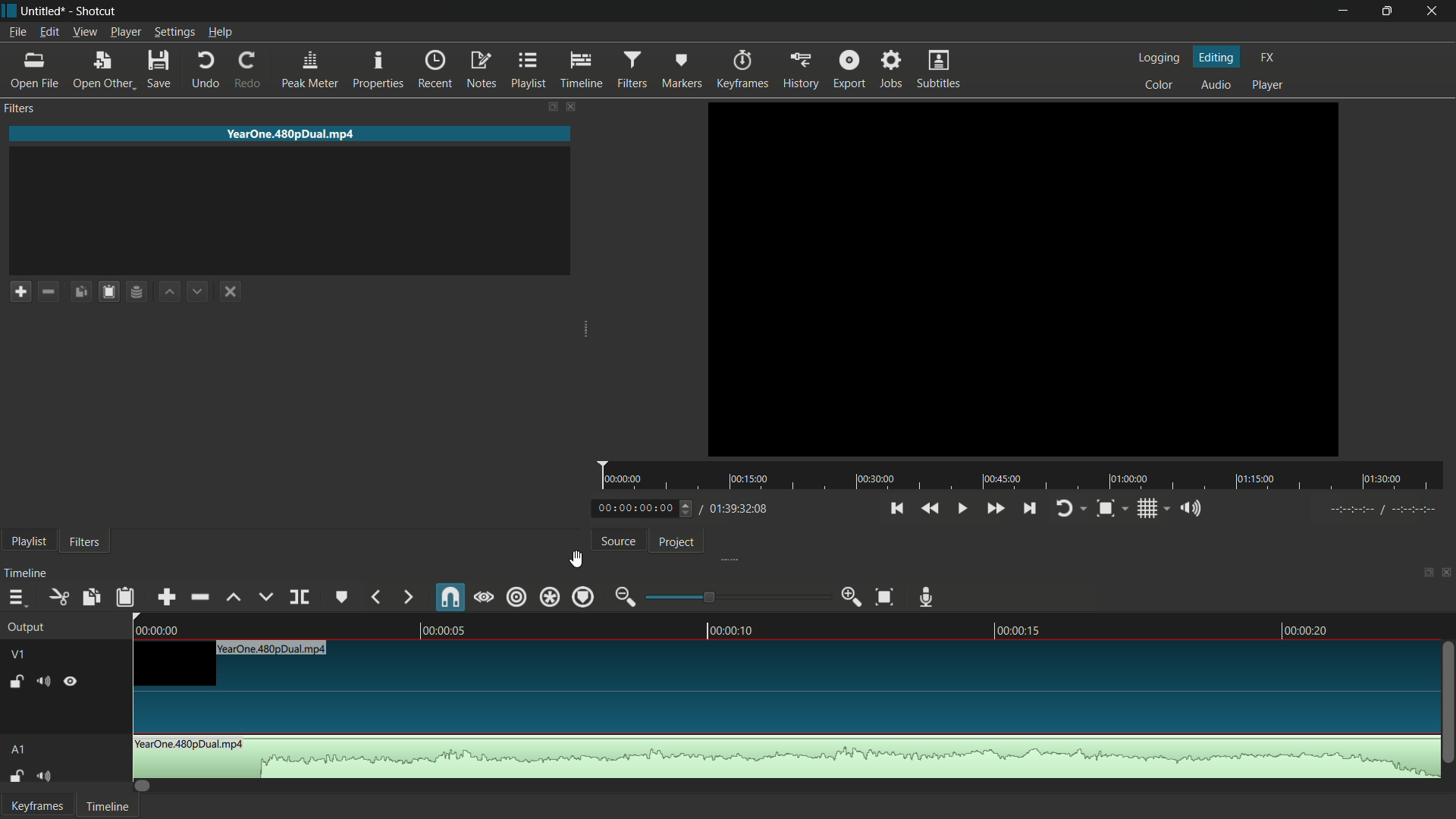 The image size is (1456, 819). What do you see at coordinates (782, 758) in the screenshot?
I see `audio is dteached` at bounding box center [782, 758].